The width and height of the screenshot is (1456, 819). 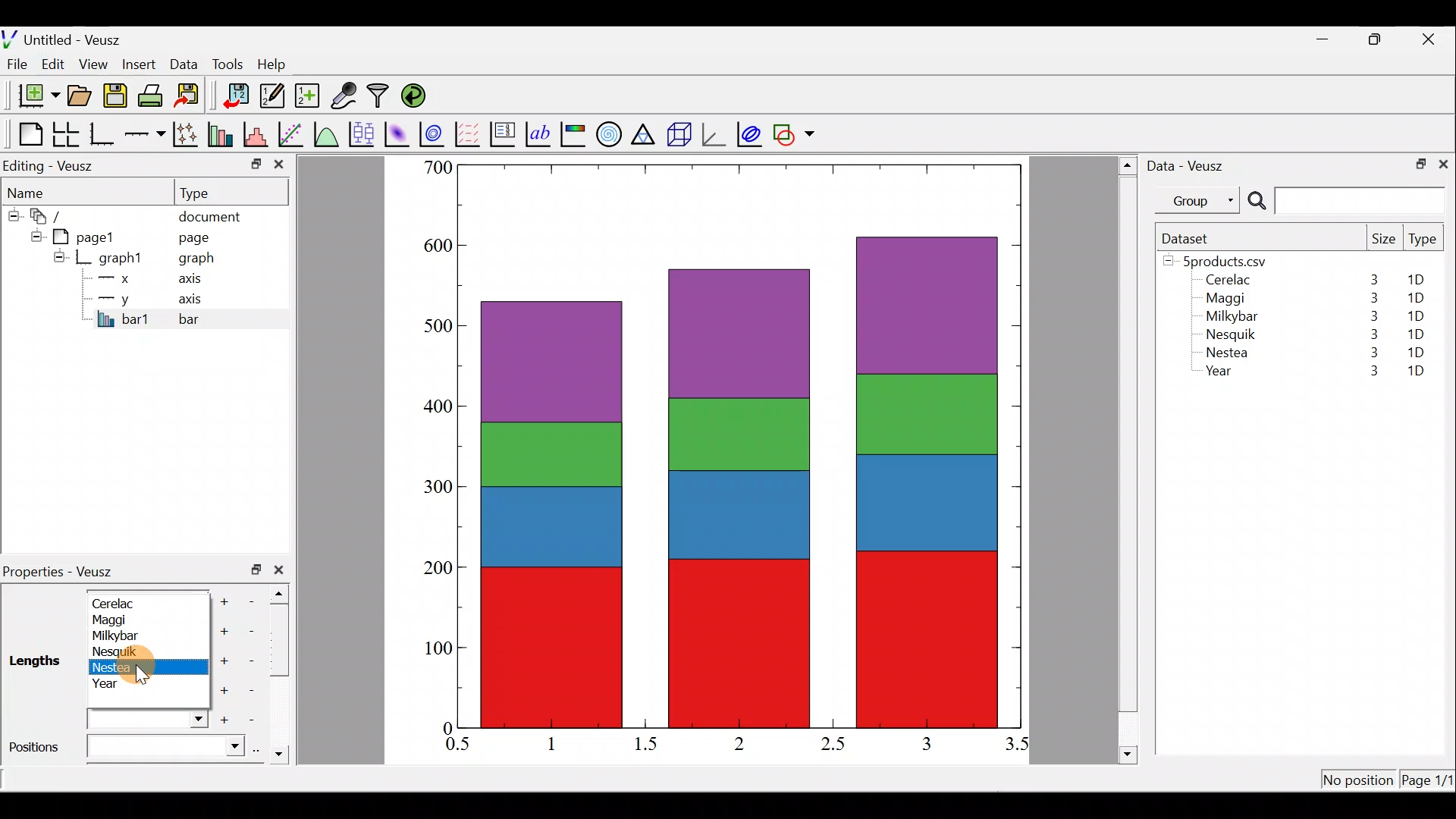 I want to click on Histogram of a dataset, so click(x=260, y=135).